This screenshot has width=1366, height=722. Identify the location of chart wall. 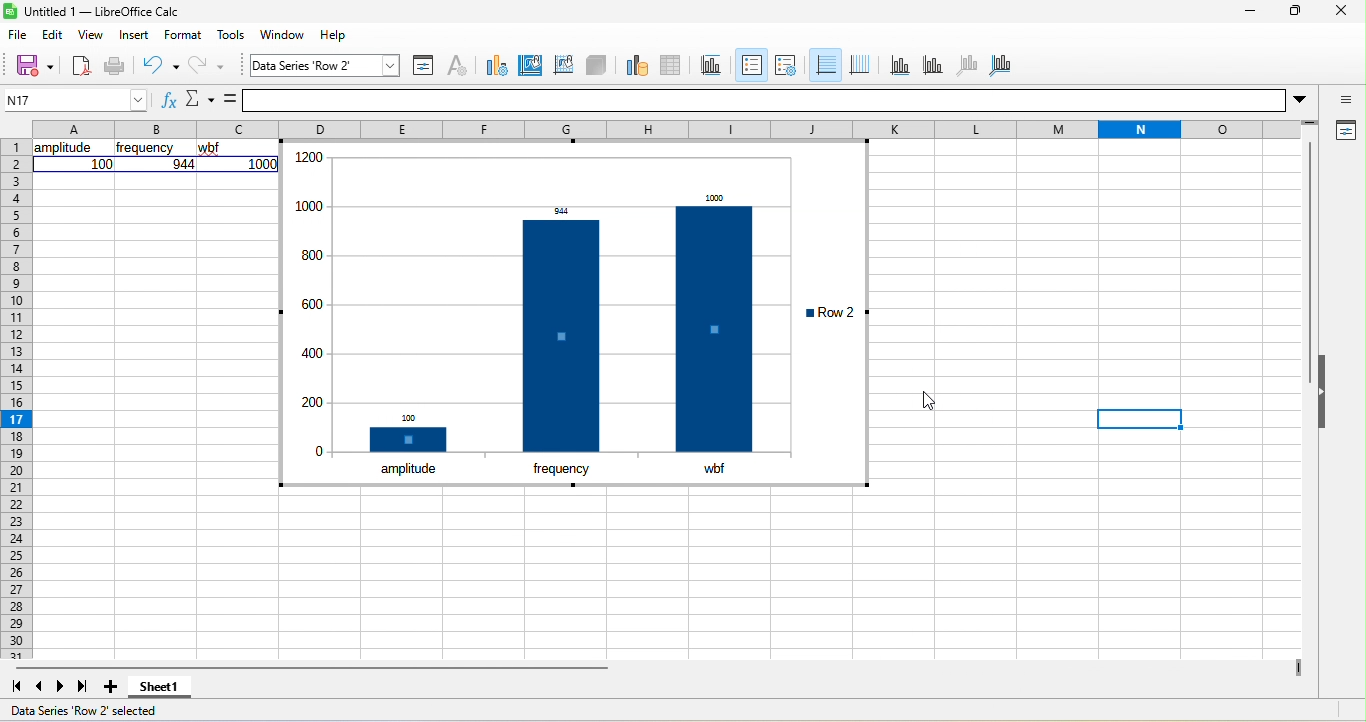
(563, 66).